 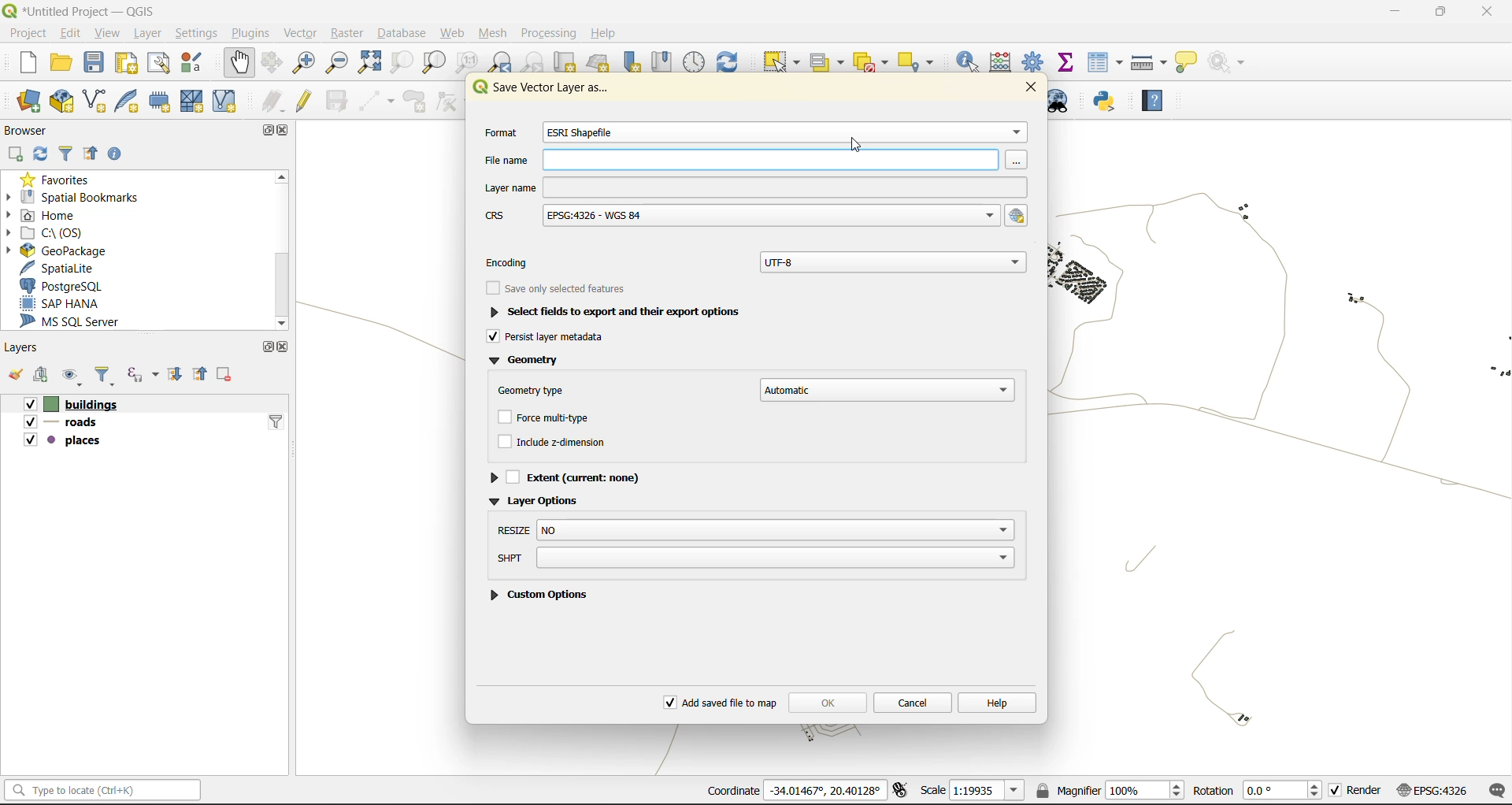 I want to click on python, so click(x=1109, y=101).